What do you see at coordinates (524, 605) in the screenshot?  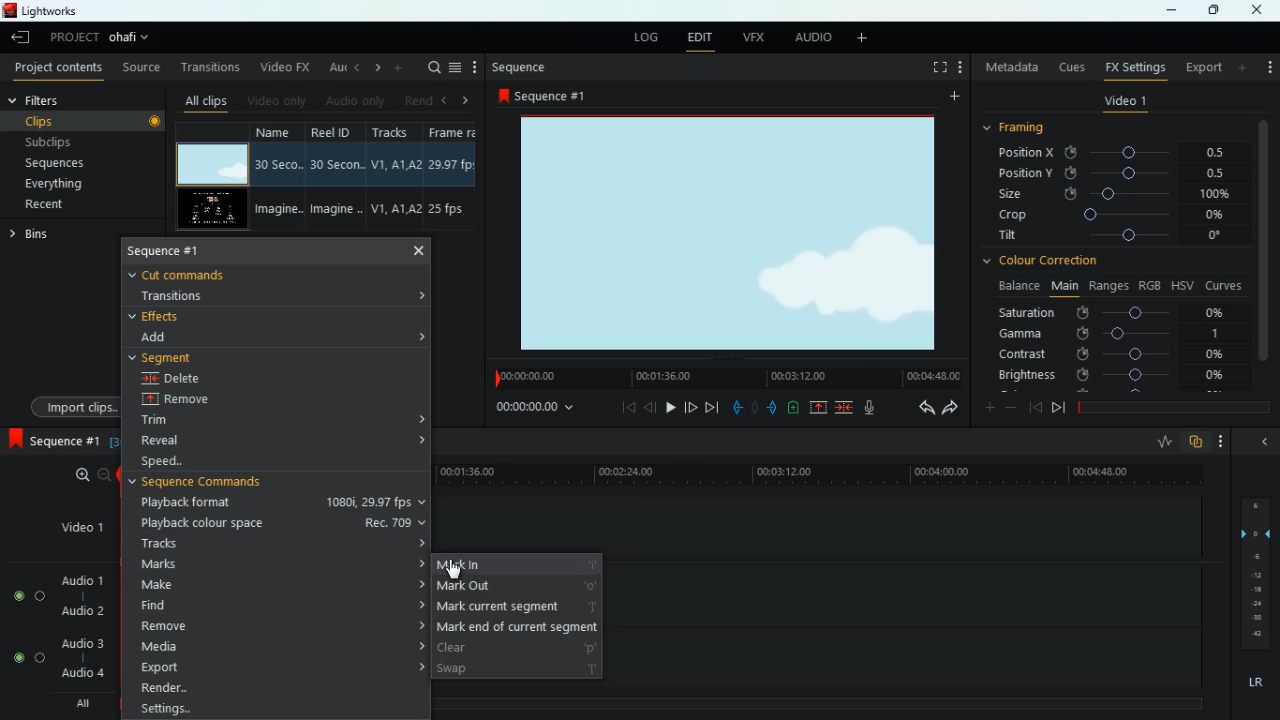 I see `mark current segment` at bounding box center [524, 605].